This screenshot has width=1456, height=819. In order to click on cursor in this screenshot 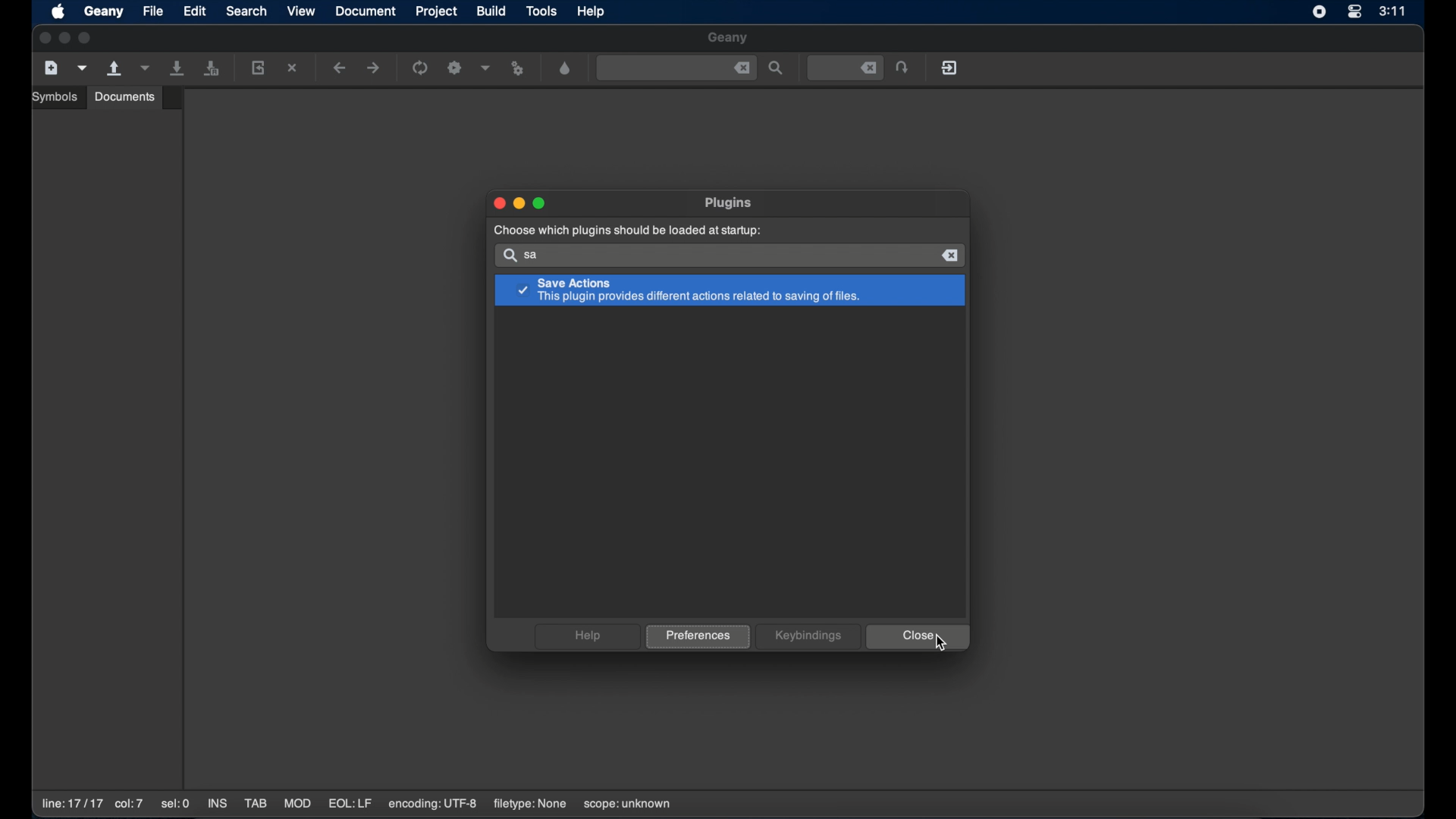, I will do `click(941, 645)`.